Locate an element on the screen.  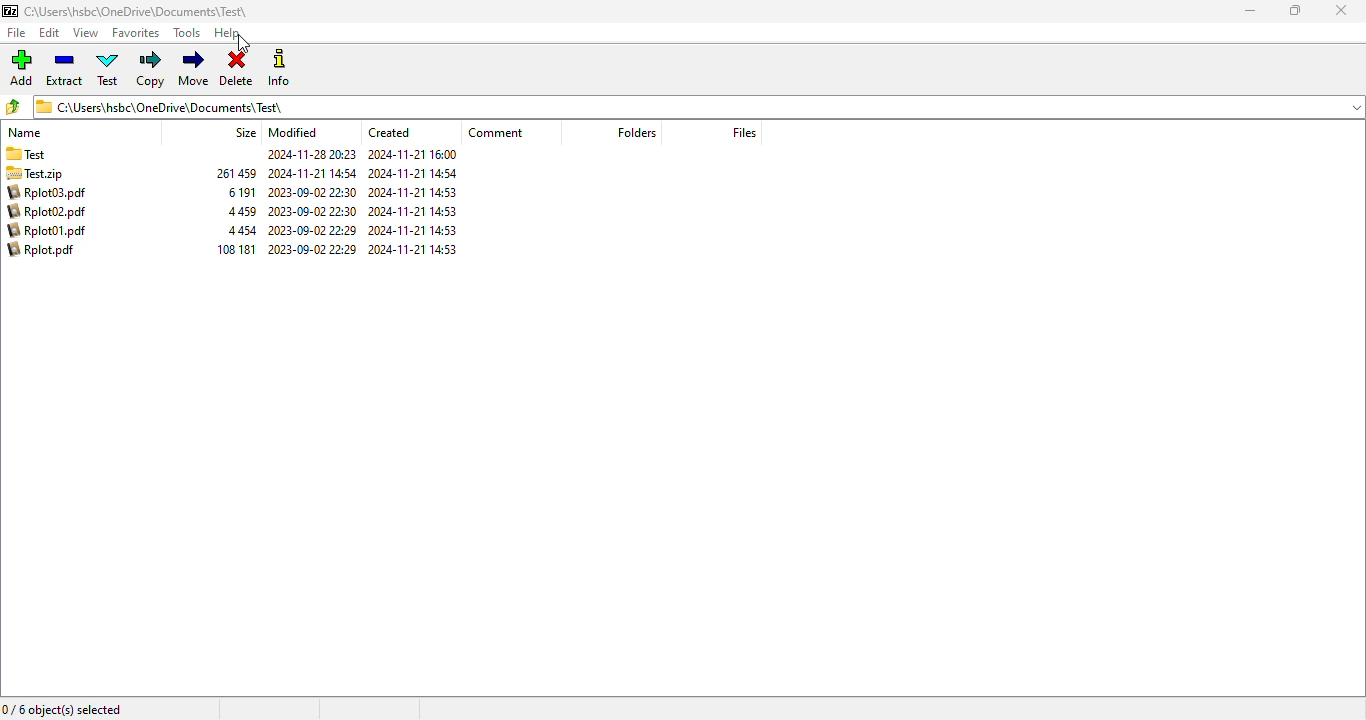
name is located at coordinates (26, 133).